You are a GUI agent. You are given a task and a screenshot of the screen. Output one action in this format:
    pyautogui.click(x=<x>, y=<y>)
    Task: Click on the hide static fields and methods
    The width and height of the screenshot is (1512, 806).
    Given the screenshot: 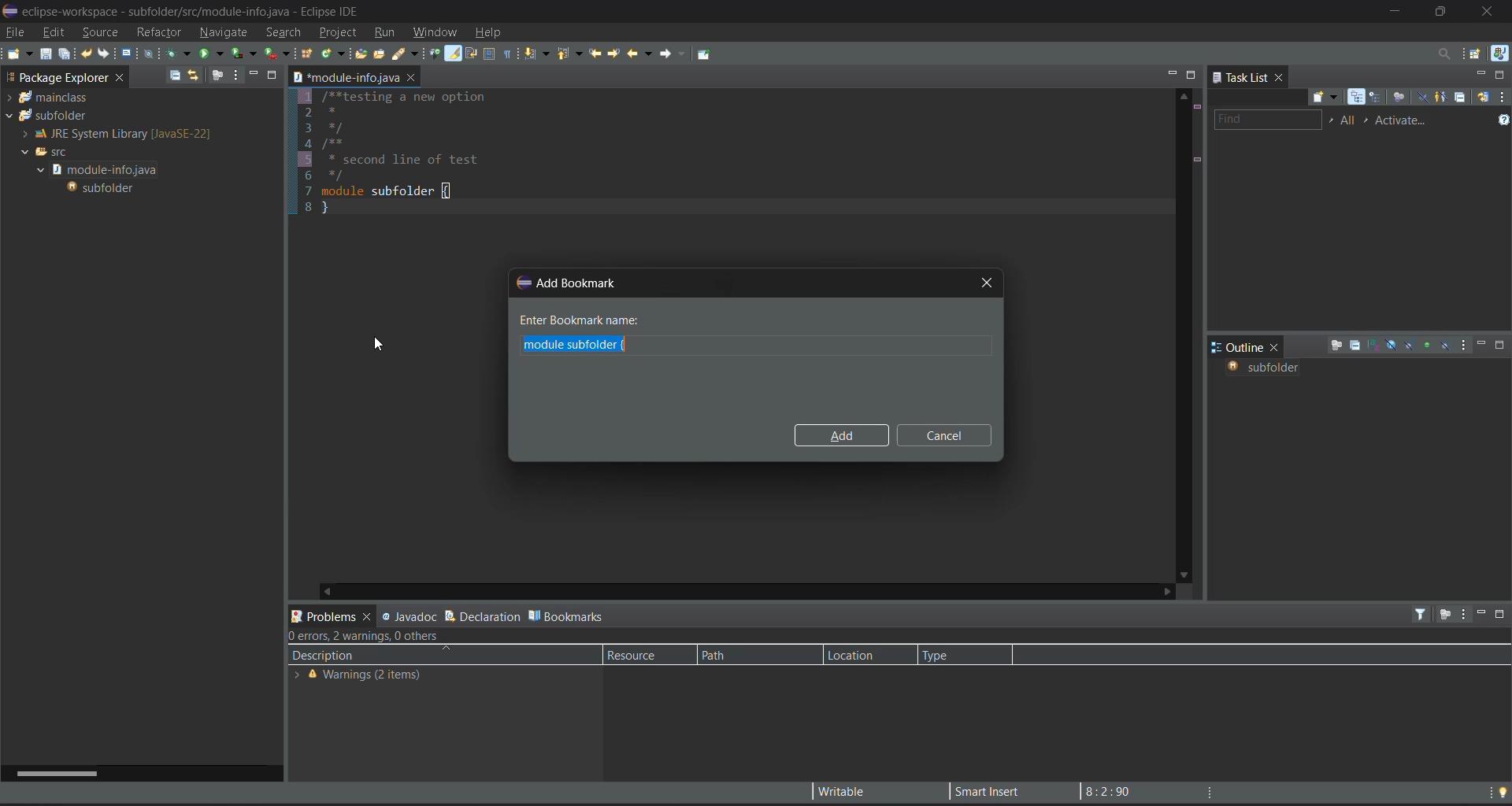 What is the action you would take?
    pyautogui.click(x=1410, y=346)
    